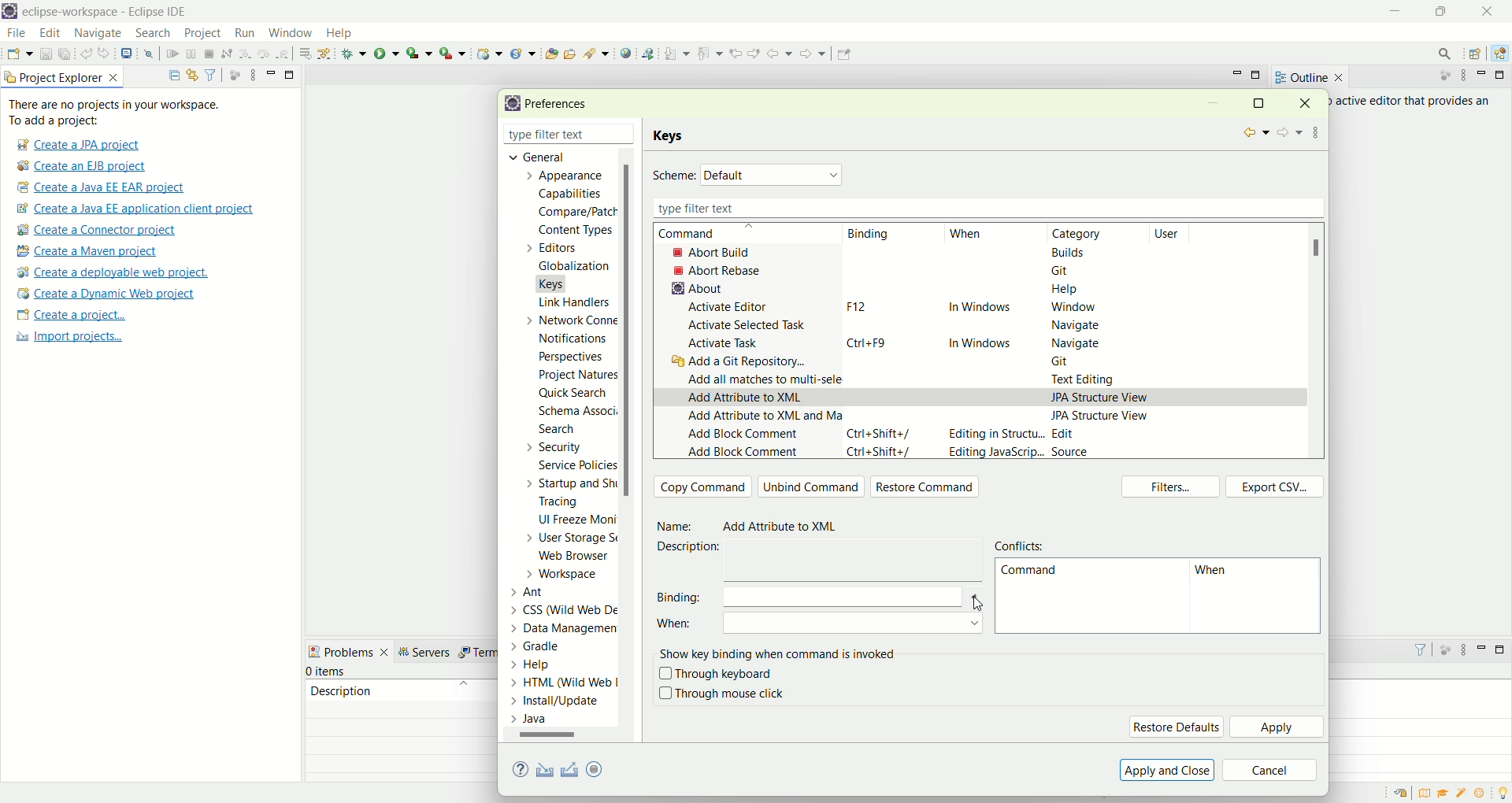 The image size is (1512, 803). I want to click on step over, so click(264, 53).